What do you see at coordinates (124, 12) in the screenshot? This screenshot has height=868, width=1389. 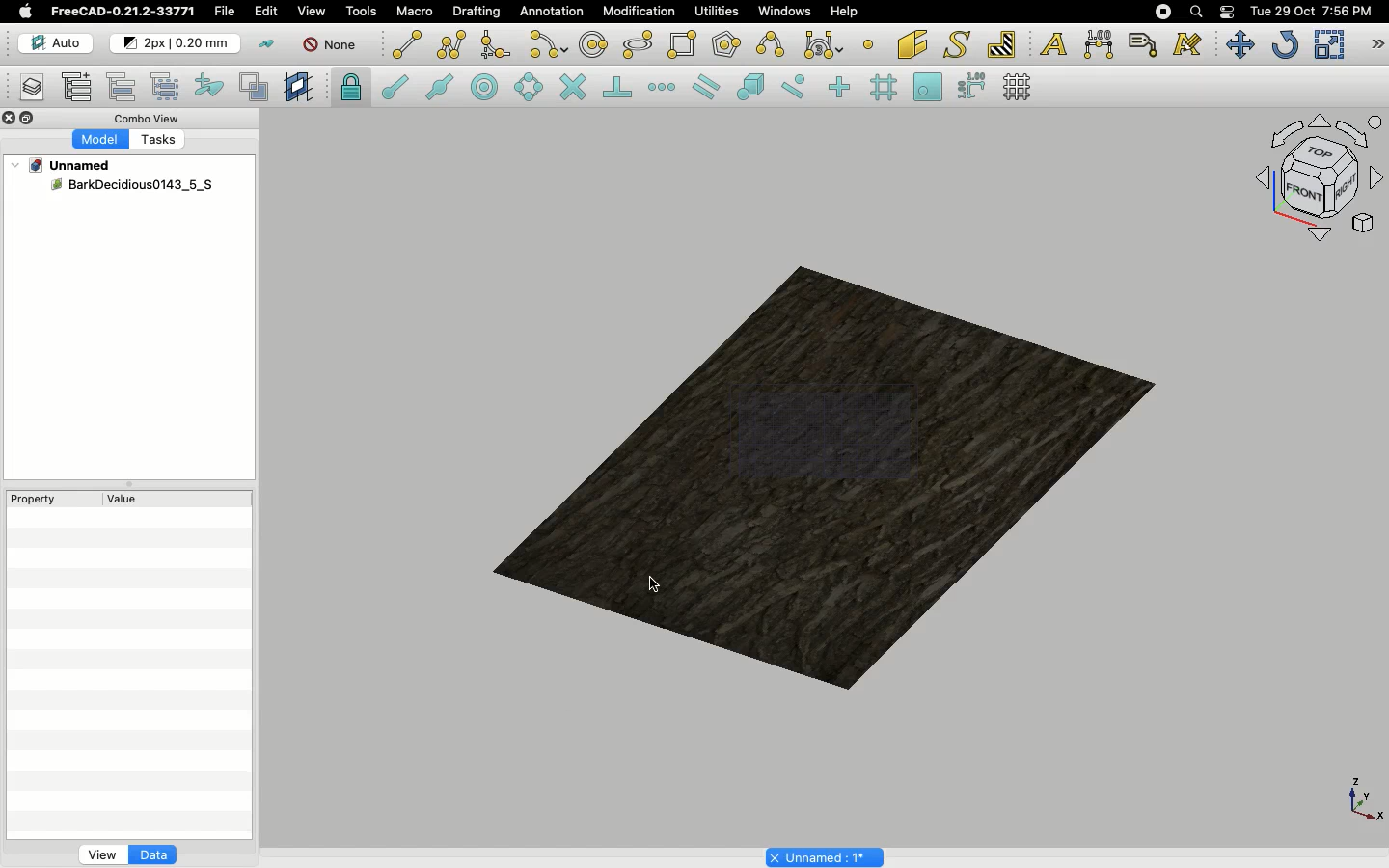 I see `FreeCAD` at bounding box center [124, 12].